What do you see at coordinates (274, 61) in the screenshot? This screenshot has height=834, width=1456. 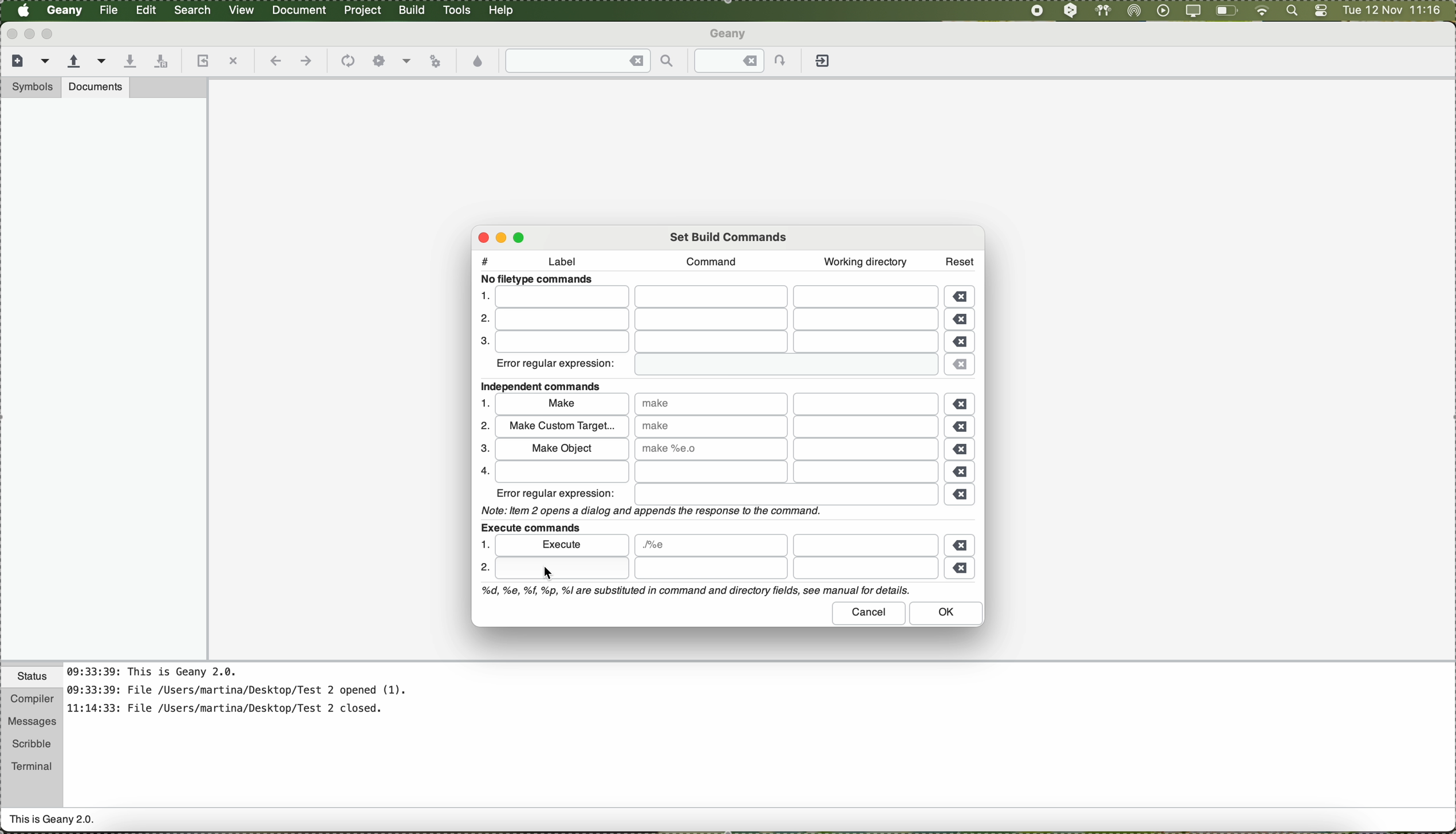 I see `navigate back a location` at bounding box center [274, 61].